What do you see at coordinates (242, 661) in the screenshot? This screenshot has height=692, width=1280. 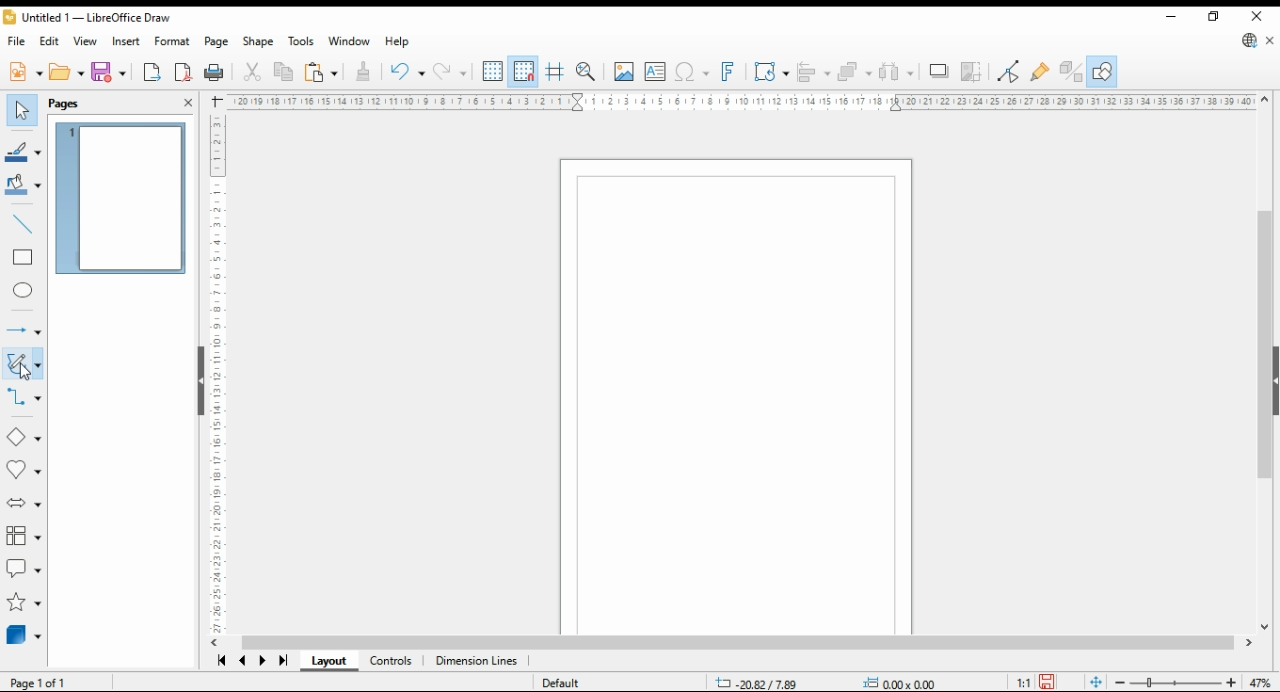 I see `previous page` at bounding box center [242, 661].